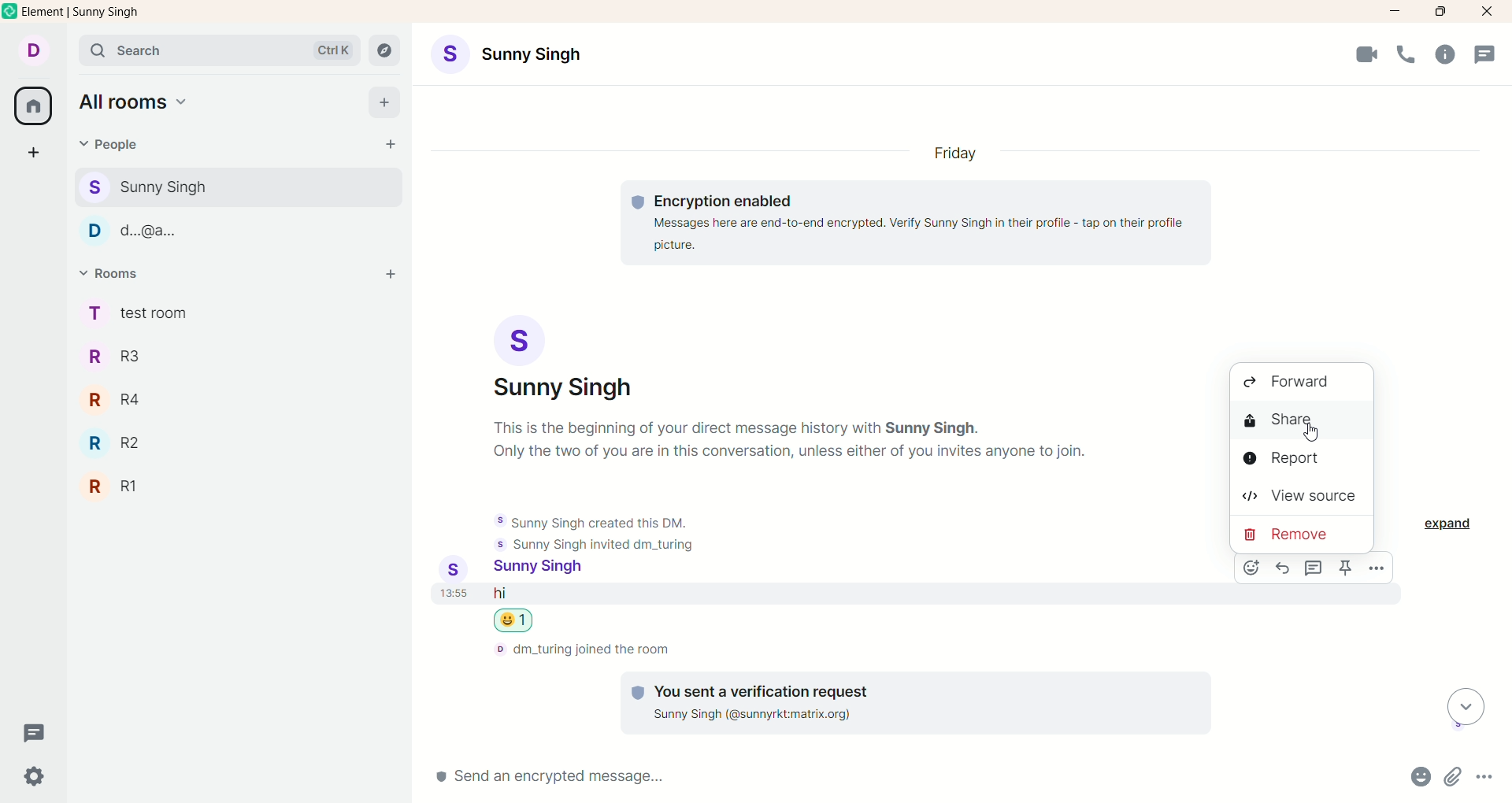 Image resolution: width=1512 pixels, height=803 pixels. What do you see at coordinates (1503, 420) in the screenshot?
I see `vertical scroll bar` at bounding box center [1503, 420].